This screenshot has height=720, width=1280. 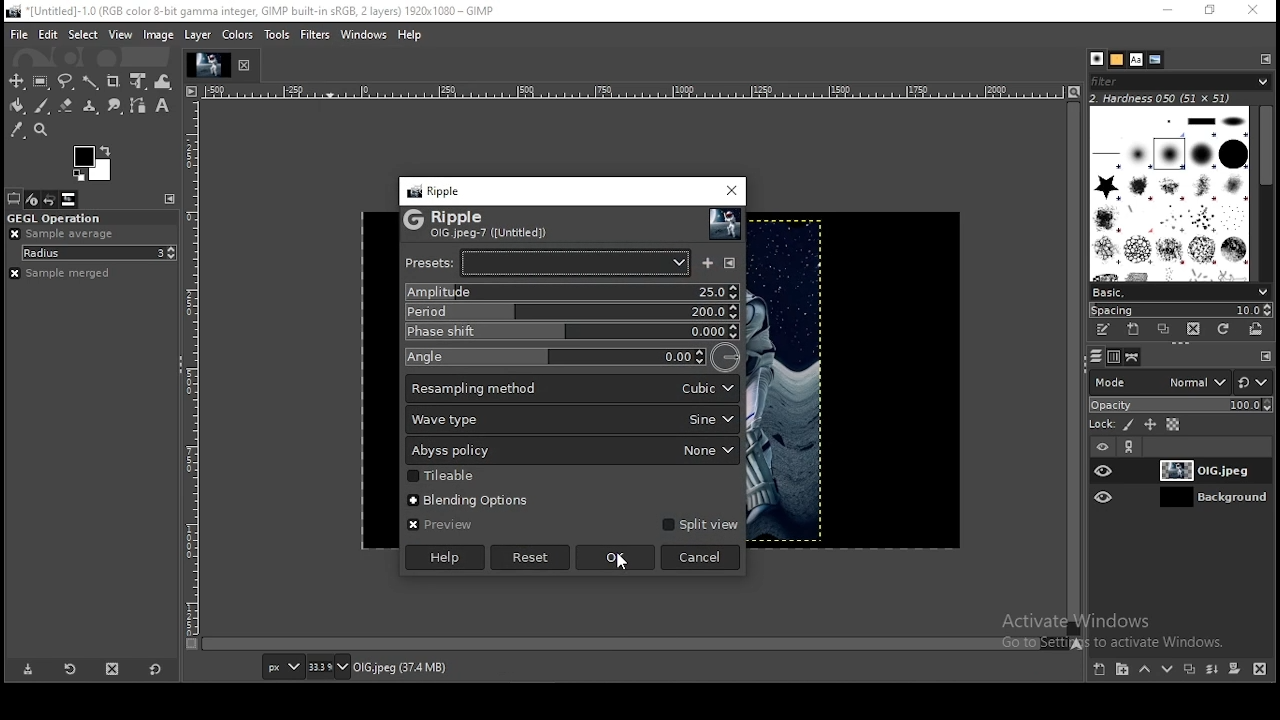 What do you see at coordinates (1117, 60) in the screenshot?
I see `patters` at bounding box center [1117, 60].